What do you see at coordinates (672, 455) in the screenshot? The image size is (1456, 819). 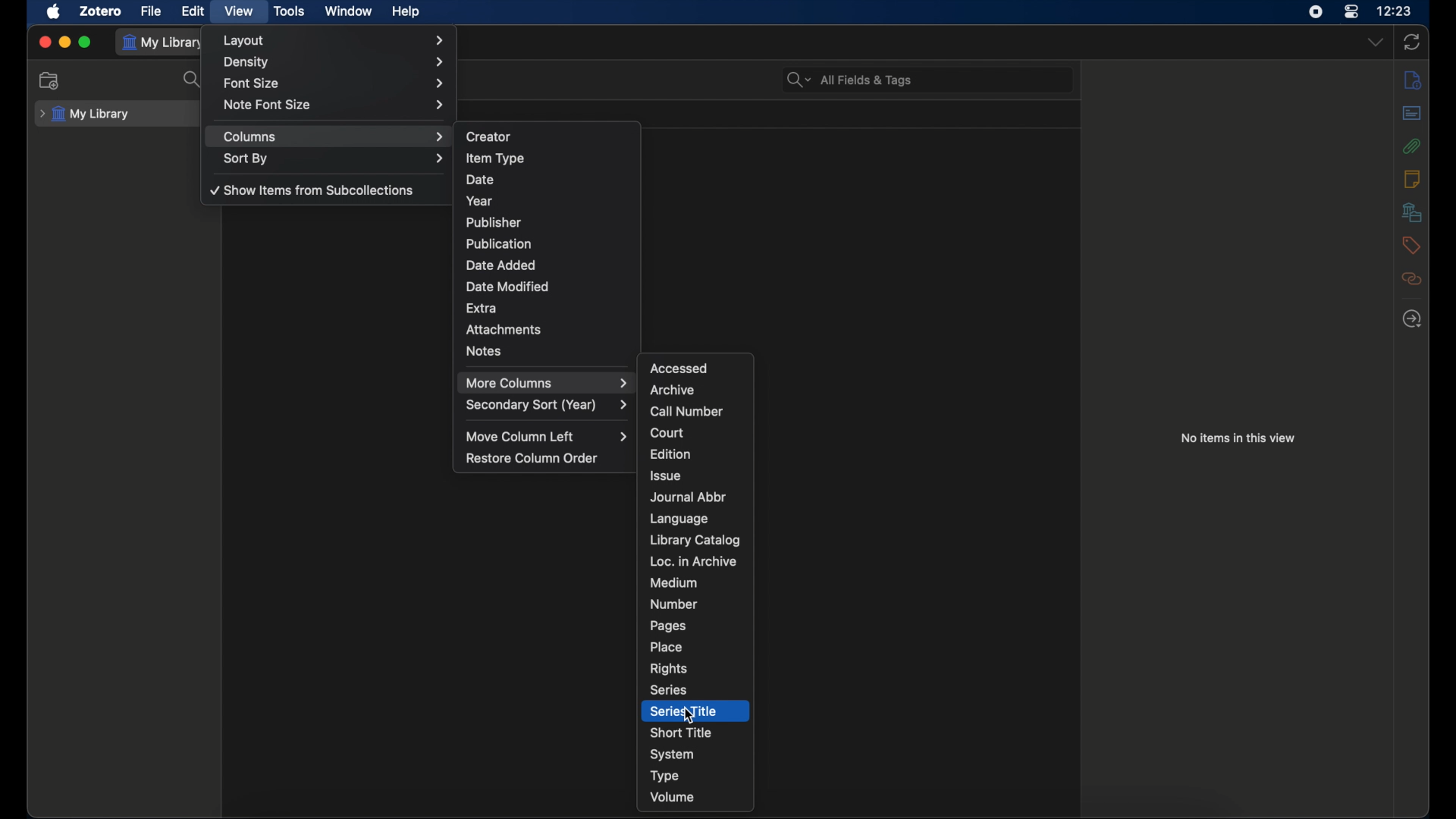 I see `edition` at bounding box center [672, 455].